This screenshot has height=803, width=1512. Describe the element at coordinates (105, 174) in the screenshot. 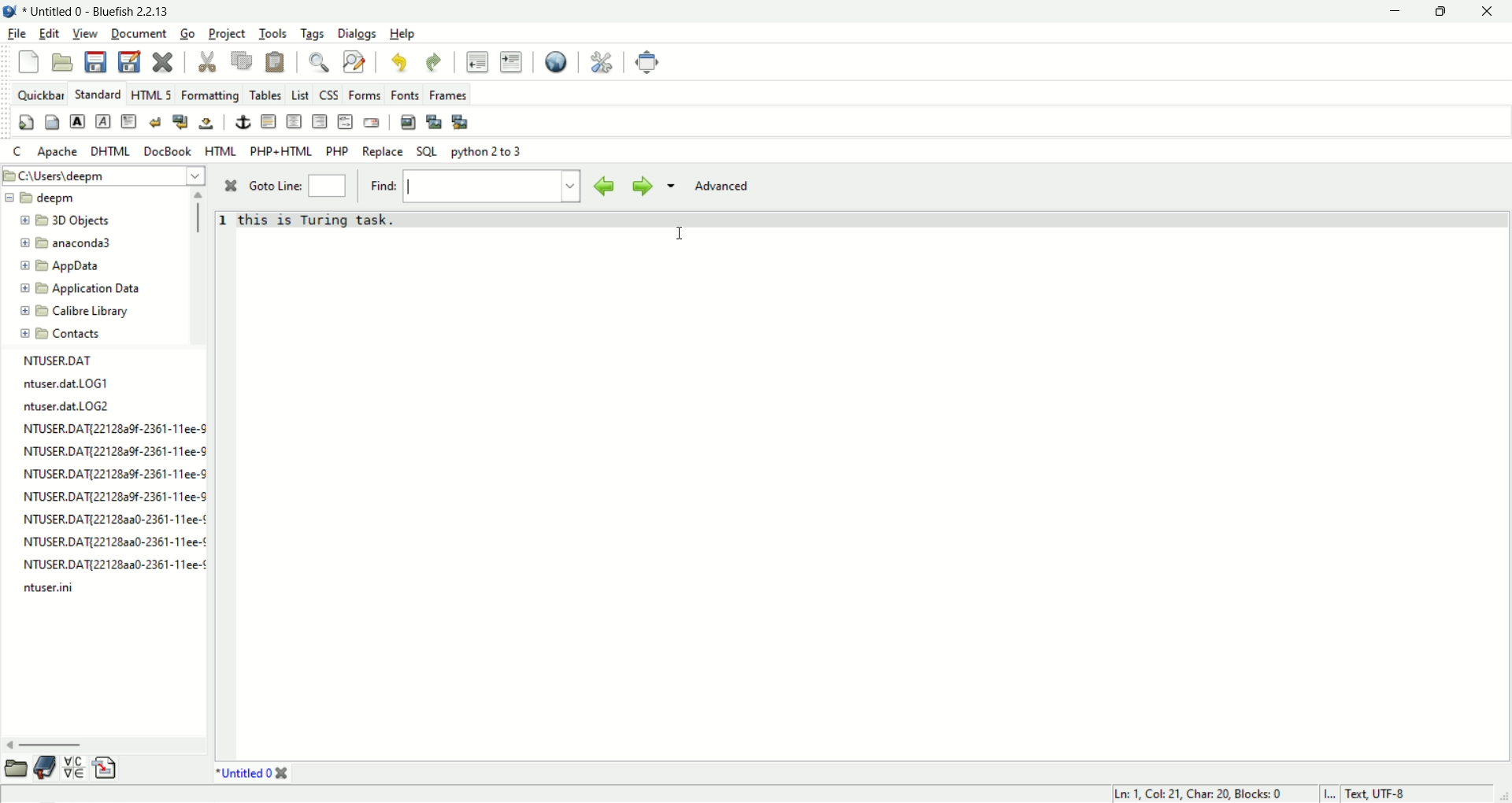

I see `C:\Users\deepm` at that location.